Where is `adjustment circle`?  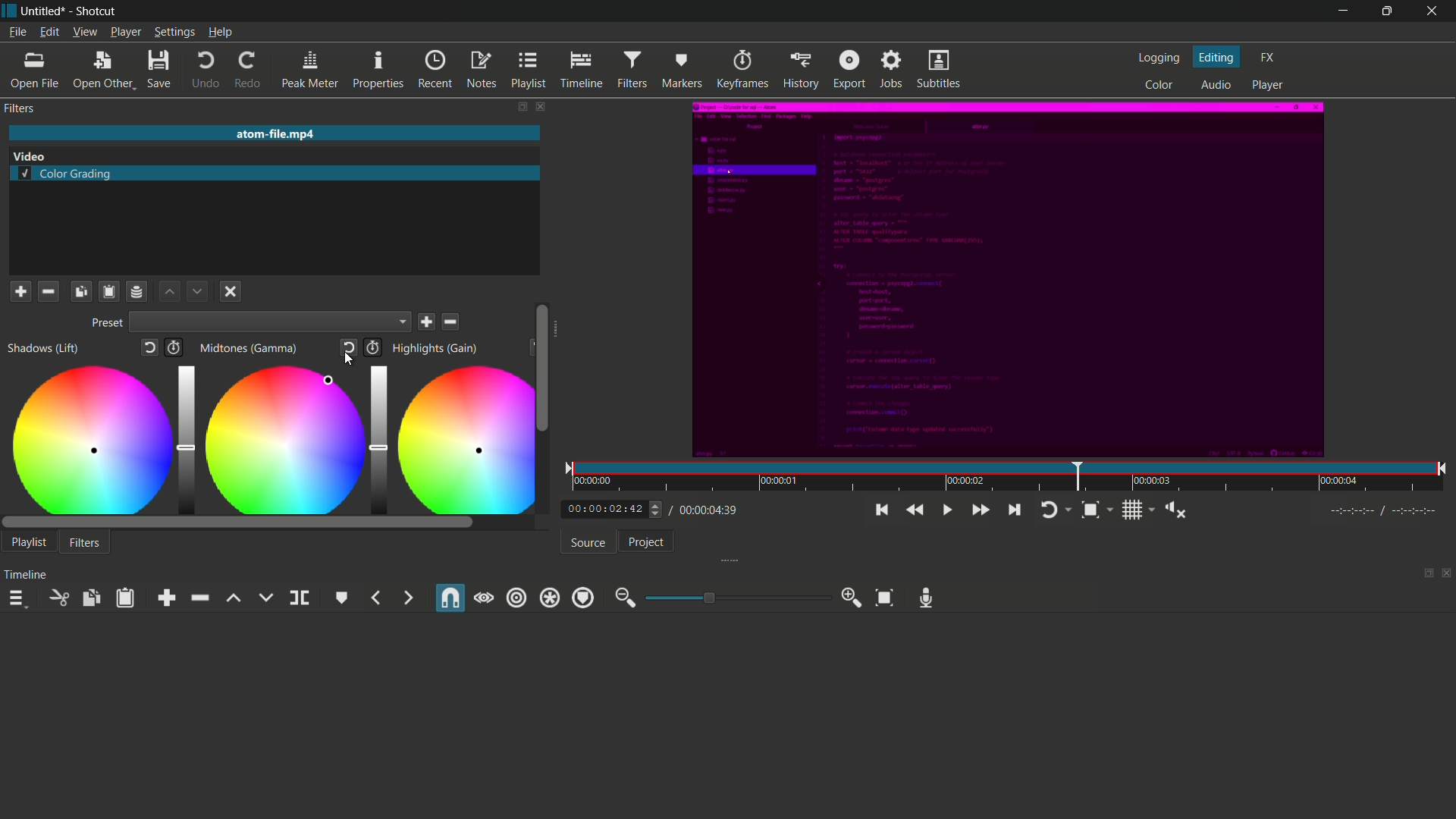
adjustment circle is located at coordinates (465, 438).